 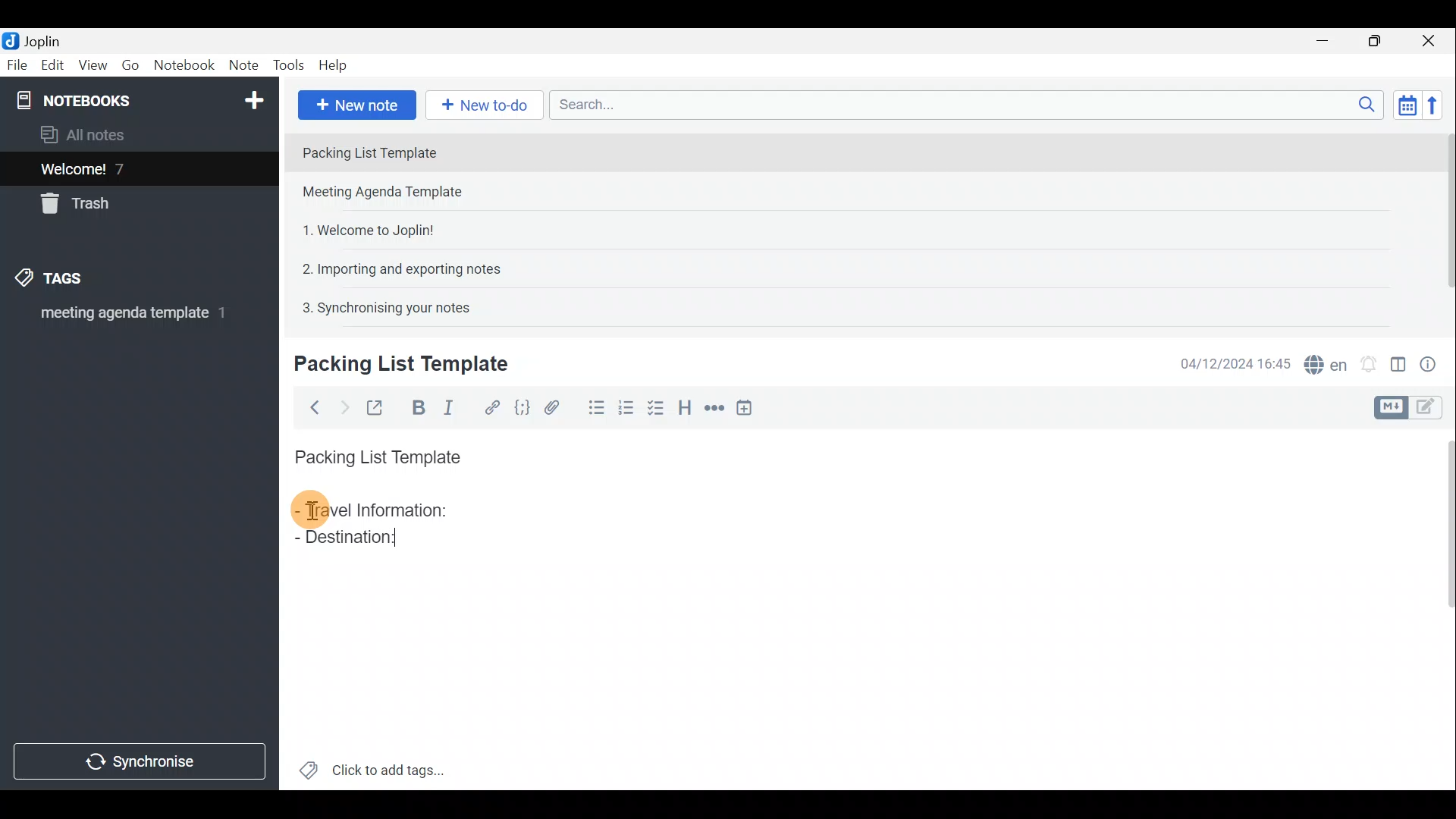 What do you see at coordinates (116, 168) in the screenshot?
I see `Welcome` at bounding box center [116, 168].